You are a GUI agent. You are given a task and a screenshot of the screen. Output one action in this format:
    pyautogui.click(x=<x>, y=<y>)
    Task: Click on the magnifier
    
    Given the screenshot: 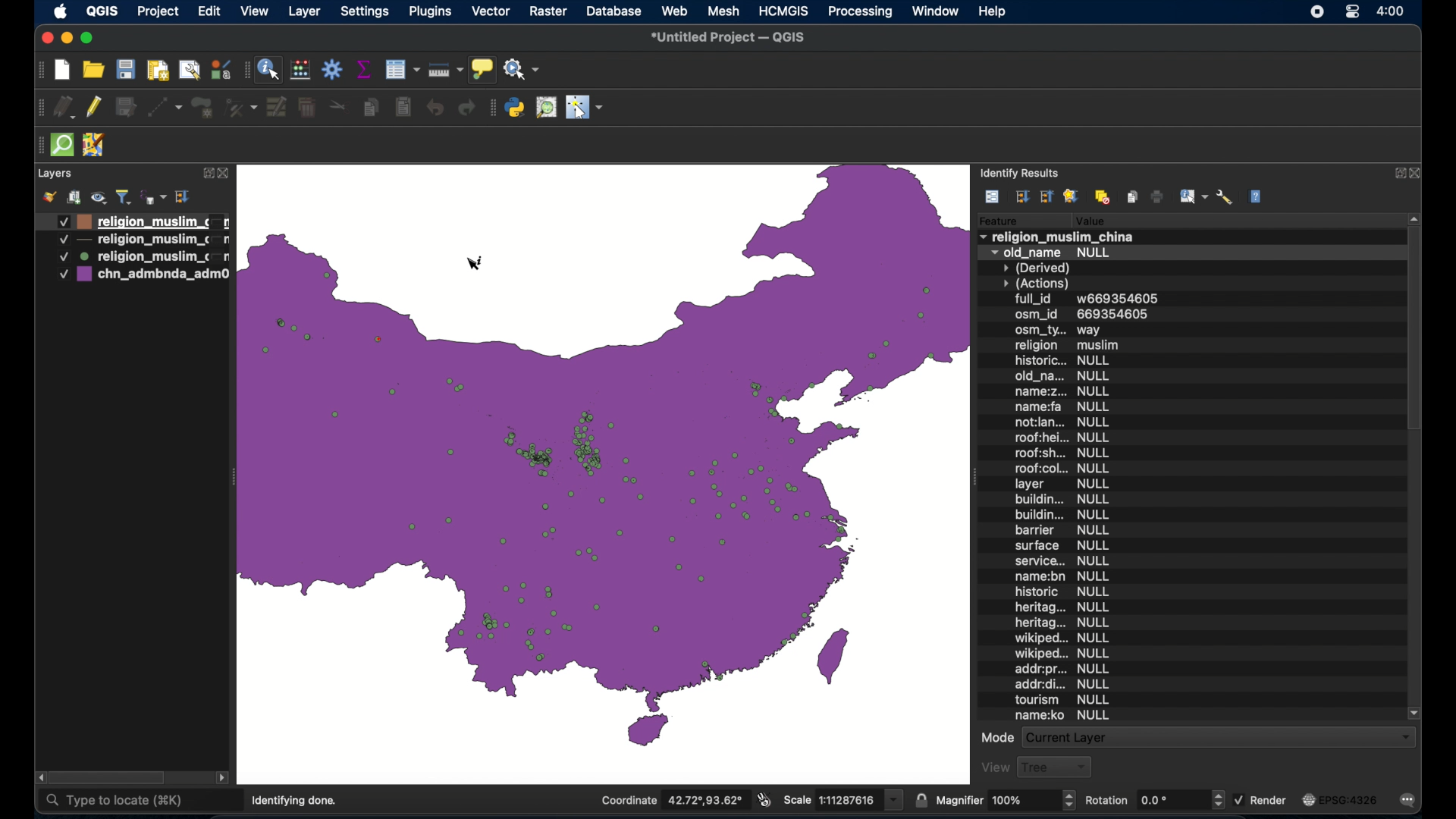 What is the action you would take?
    pyautogui.click(x=1005, y=801)
    